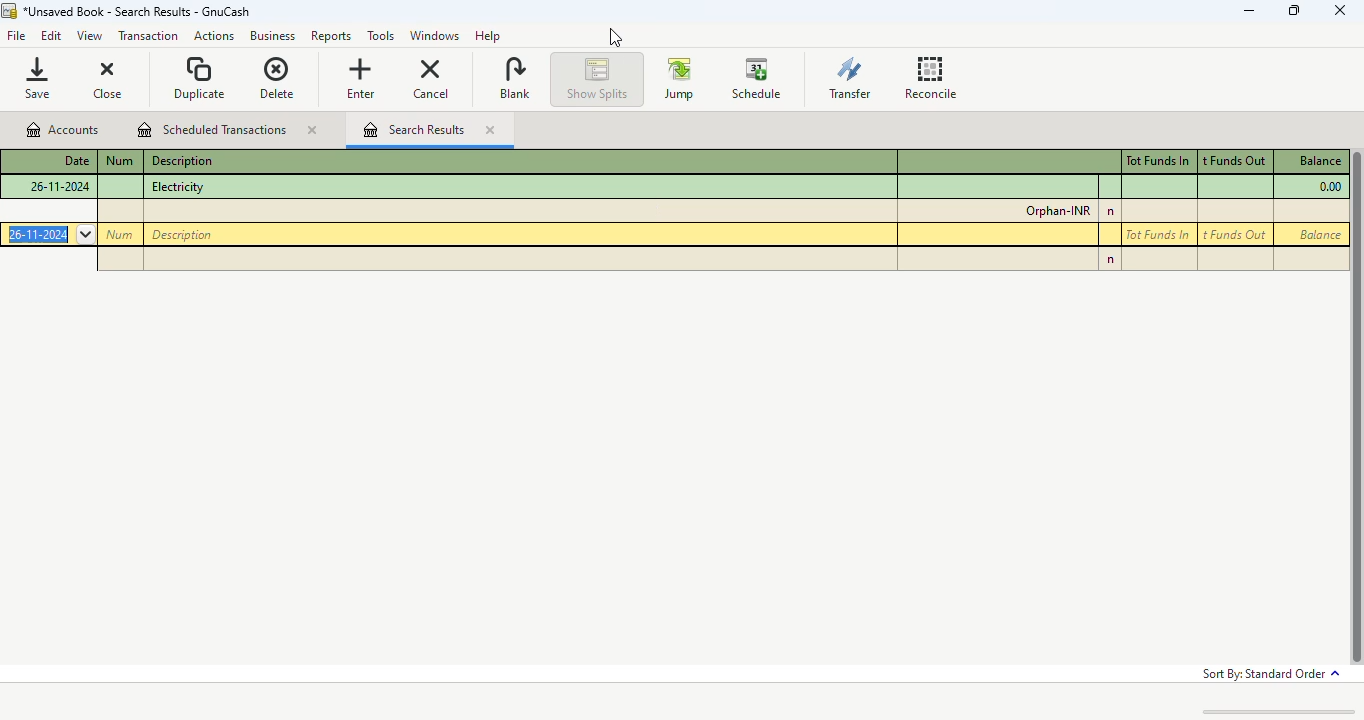 This screenshot has height=720, width=1364. I want to click on 26-11-0=2024, so click(60, 185).